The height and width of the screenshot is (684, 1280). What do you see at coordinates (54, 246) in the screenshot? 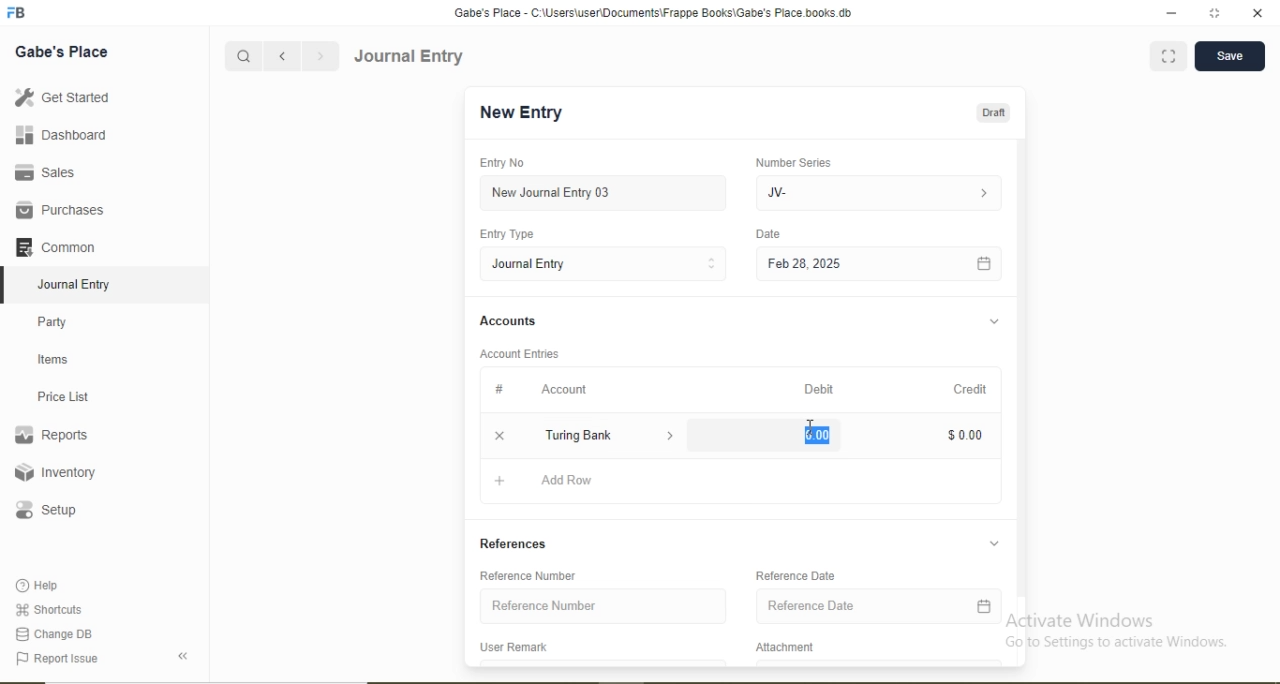
I see `Common` at bounding box center [54, 246].